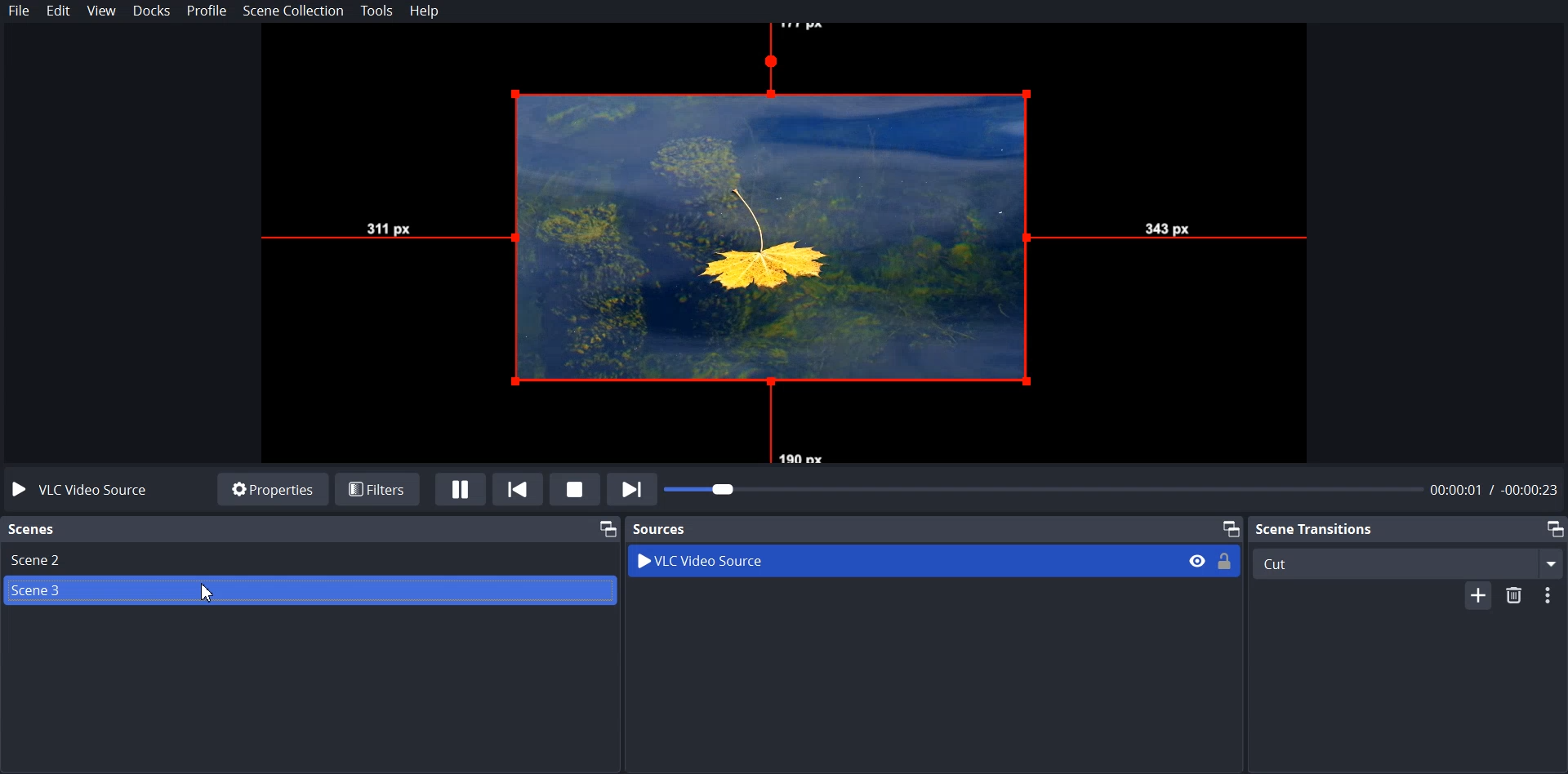 The height and width of the screenshot is (774, 1568). Describe the element at coordinates (519, 488) in the screenshot. I see `Previously Playlist` at that location.